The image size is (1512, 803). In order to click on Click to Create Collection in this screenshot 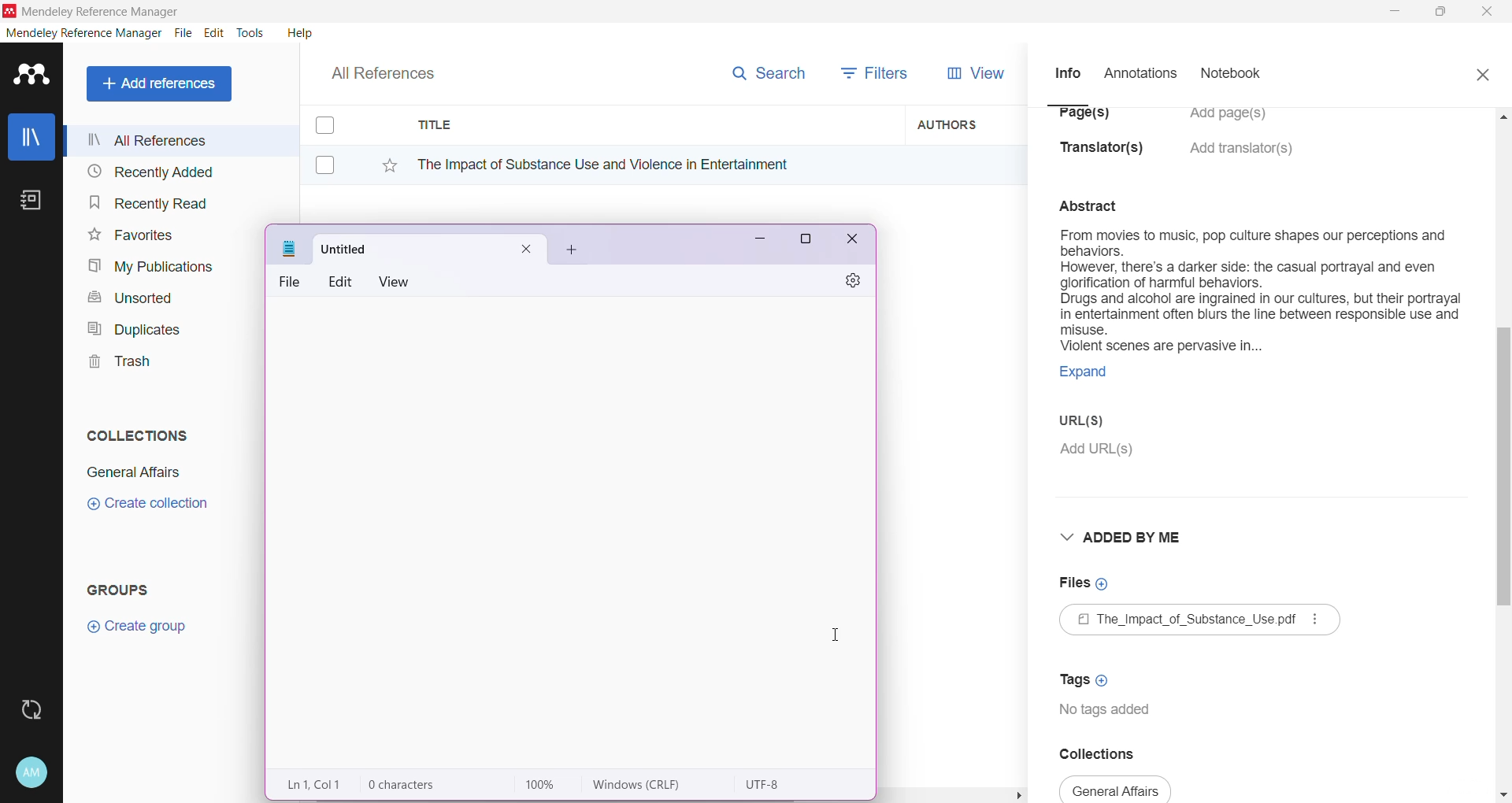, I will do `click(147, 506)`.